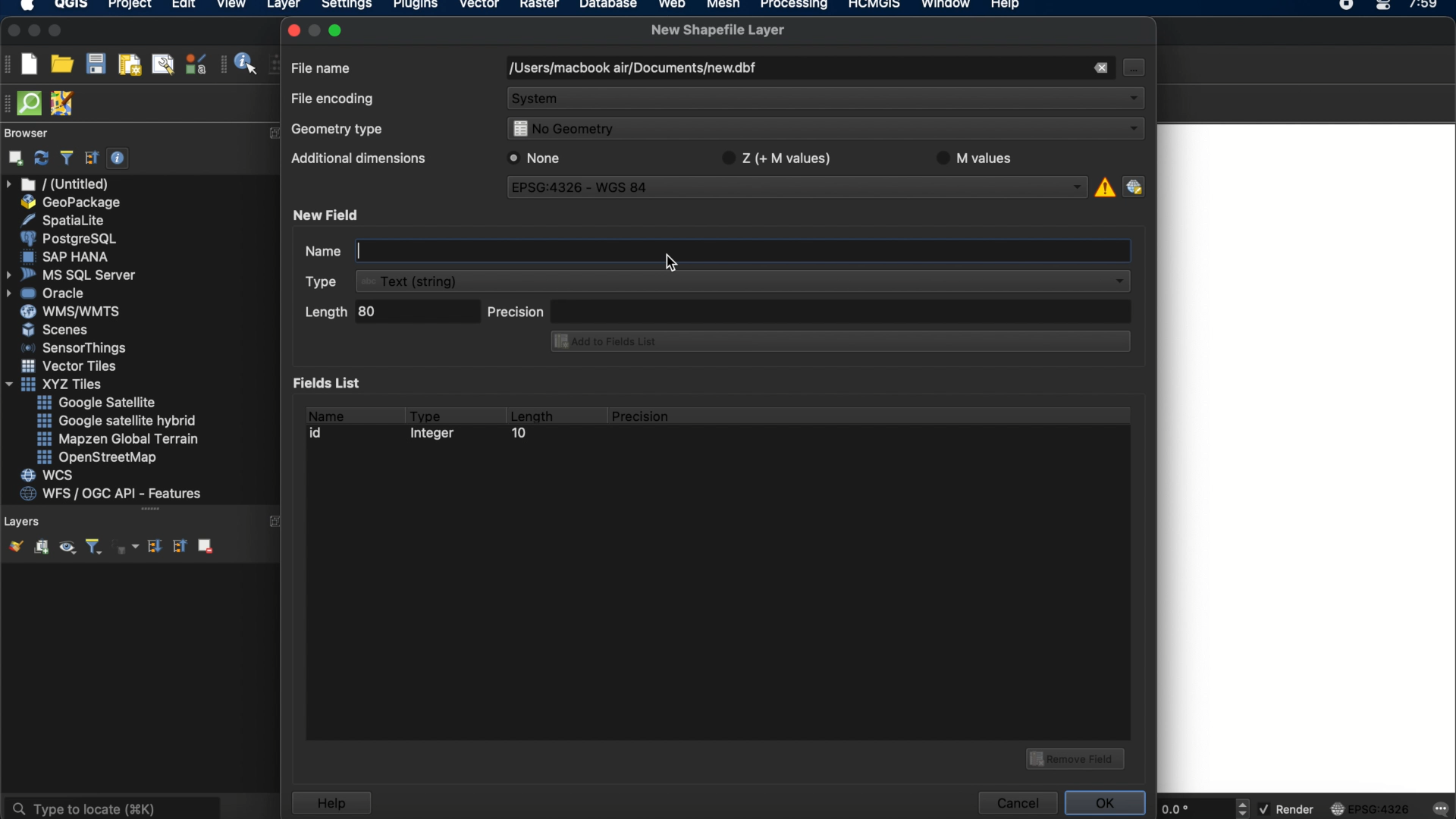  Describe the element at coordinates (72, 6) in the screenshot. I see `QGIS` at that location.